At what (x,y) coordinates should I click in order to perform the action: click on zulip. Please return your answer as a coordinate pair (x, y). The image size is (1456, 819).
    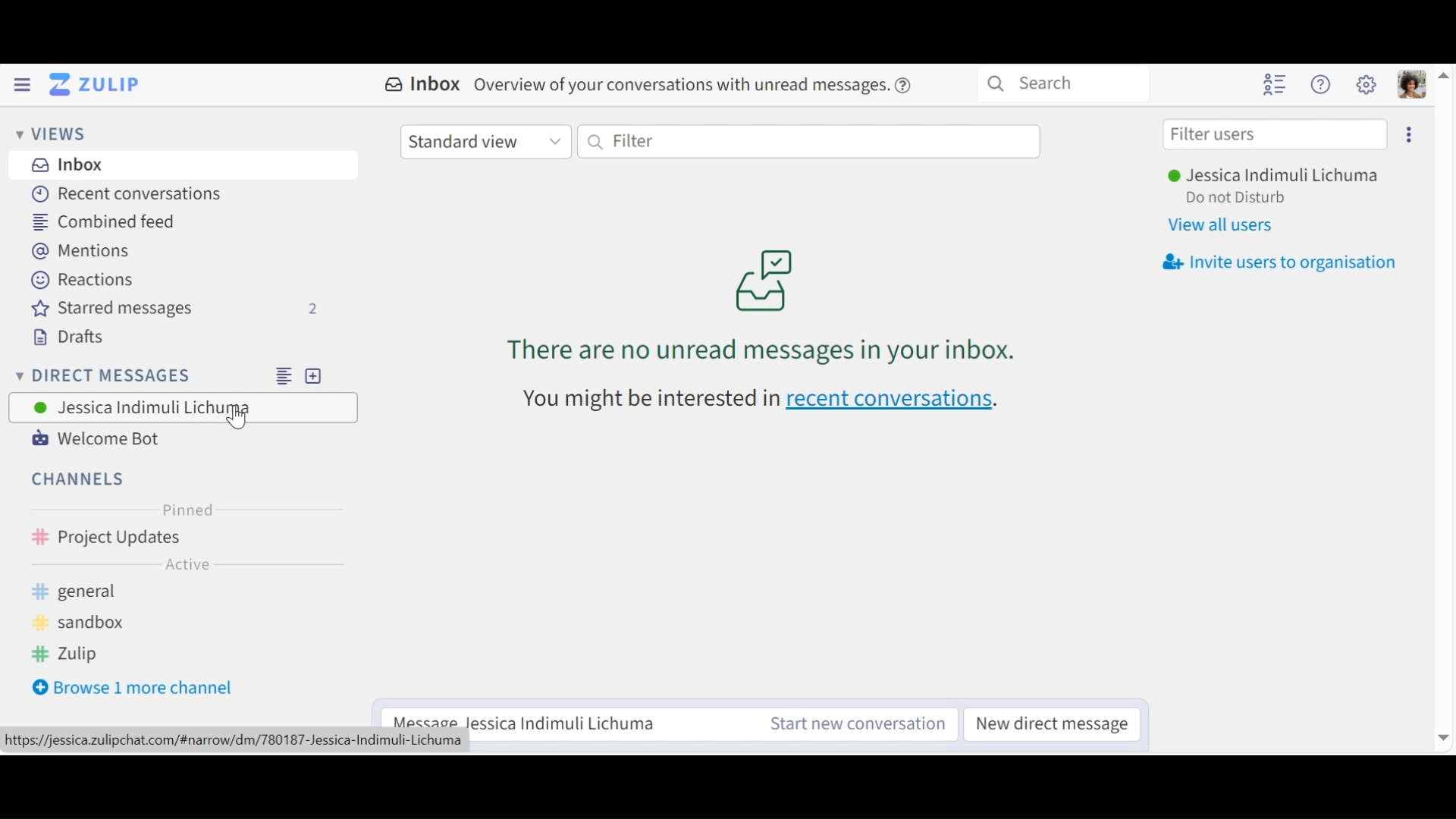
    Looking at the image, I should click on (74, 655).